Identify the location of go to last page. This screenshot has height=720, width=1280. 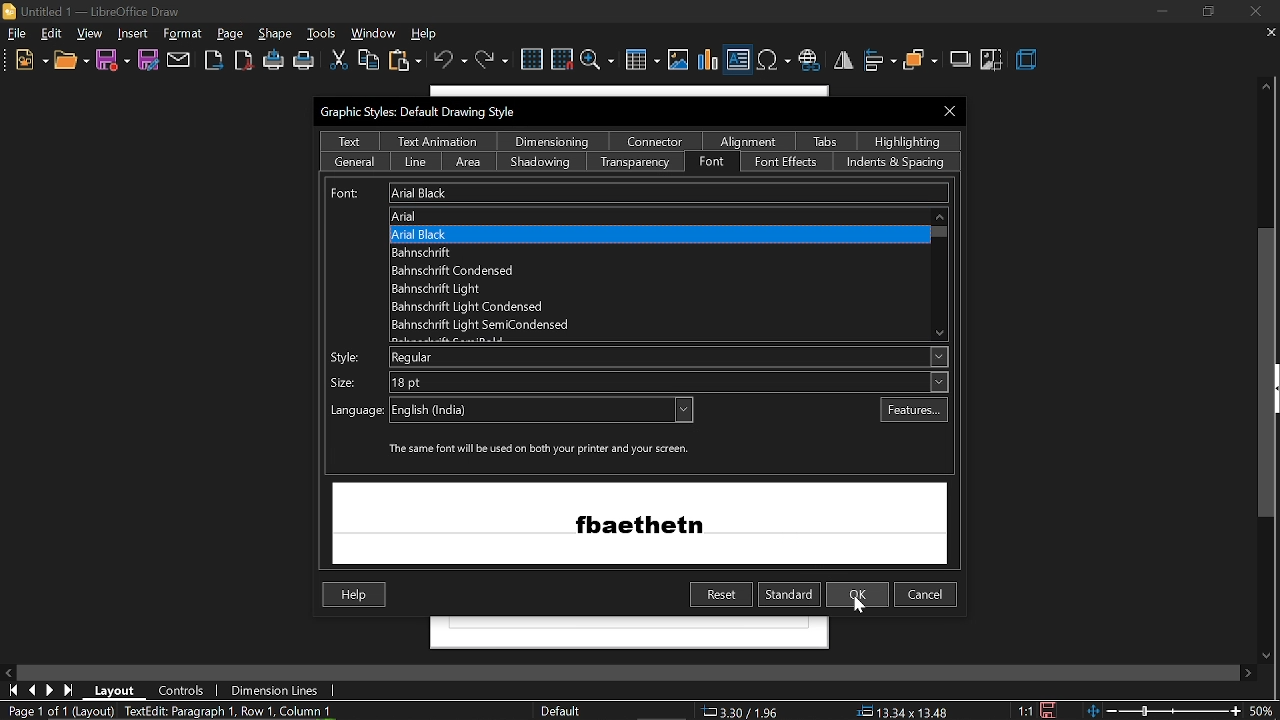
(69, 691).